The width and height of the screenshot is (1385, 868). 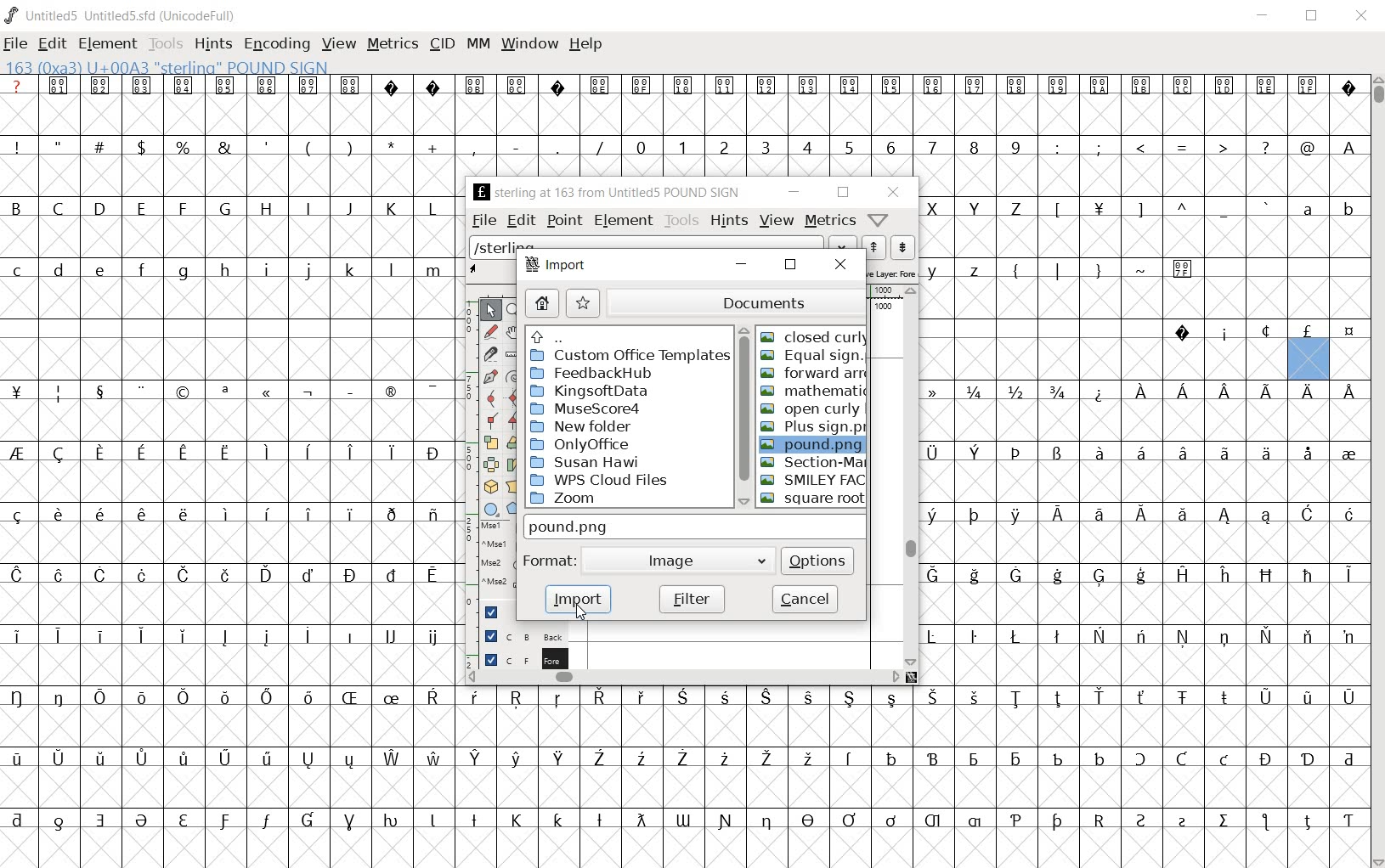 What do you see at coordinates (588, 460) in the screenshot?
I see `Susan Hawi` at bounding box center [588, 460].